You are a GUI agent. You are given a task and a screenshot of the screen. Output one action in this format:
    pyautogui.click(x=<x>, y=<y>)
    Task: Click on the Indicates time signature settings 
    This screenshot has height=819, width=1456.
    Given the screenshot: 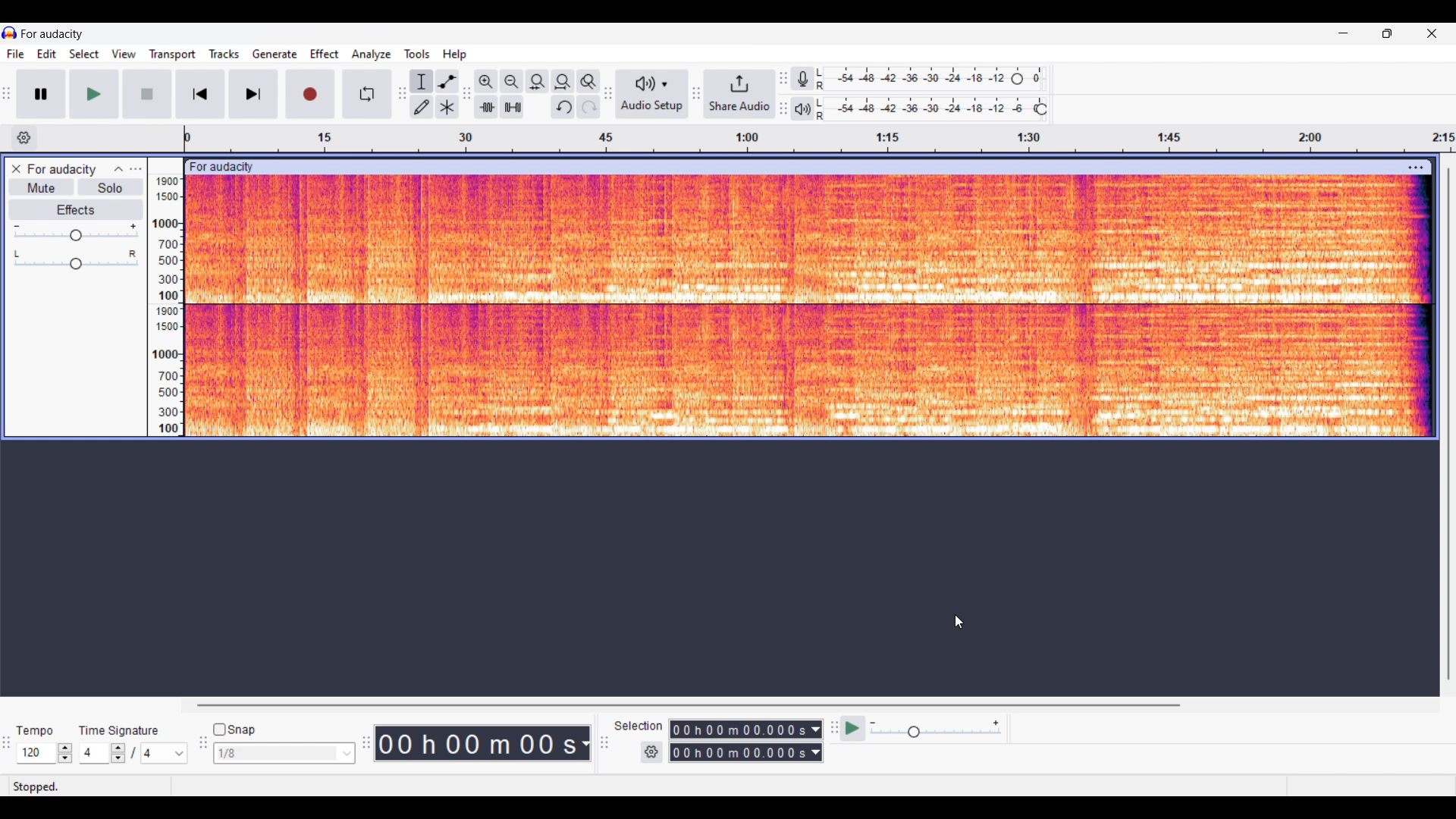 What is the action you would take?
    pyautogui.click(x=119, y=731)
    